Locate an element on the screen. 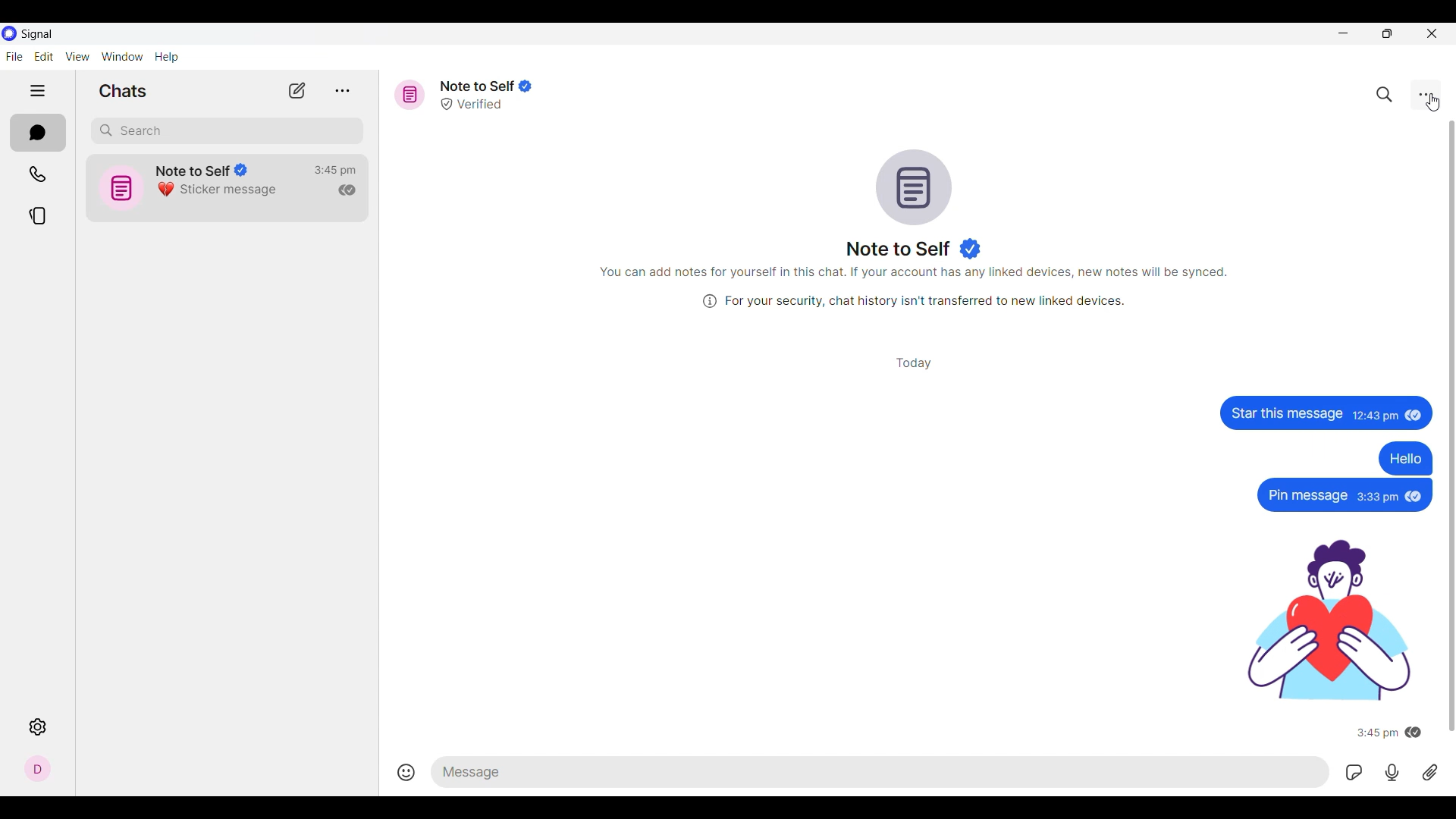 The width and height of the screenshot is (1456, 819). Settings is located at coordinates (37, 726).